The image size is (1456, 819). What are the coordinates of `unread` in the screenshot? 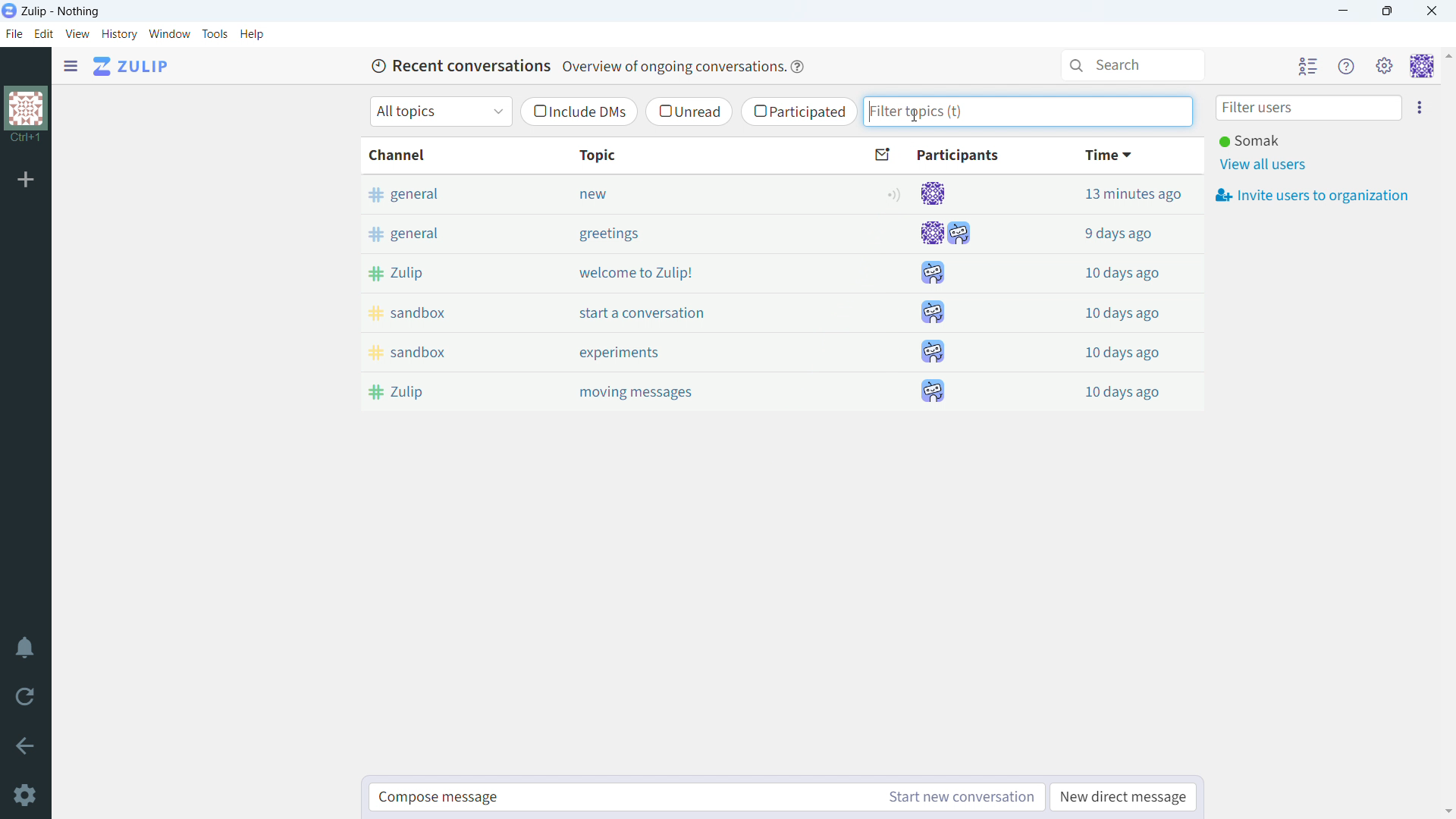 It's located at (689, 111).